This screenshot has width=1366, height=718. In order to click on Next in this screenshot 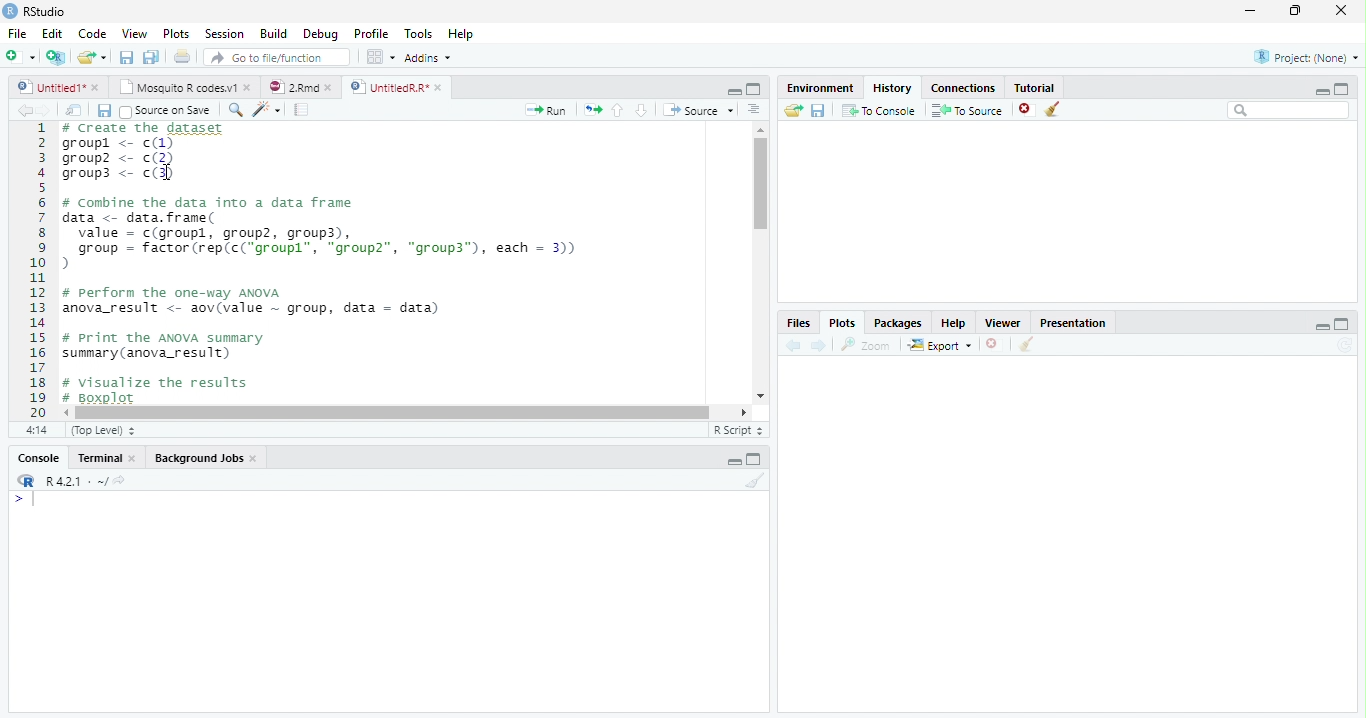, I will do `click(52, 111)`.